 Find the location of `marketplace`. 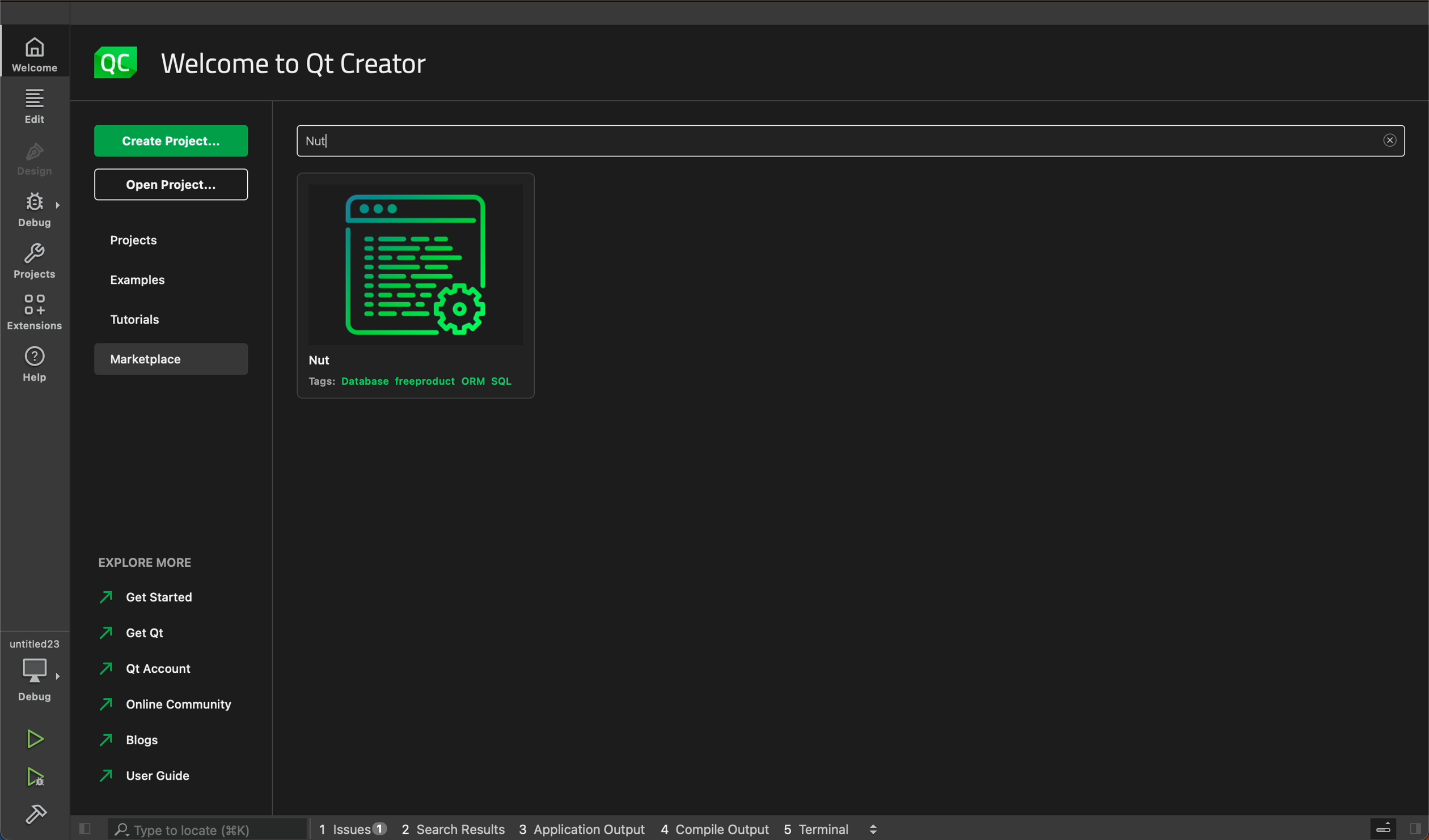

marketplace is located at coordinates (167, 359).